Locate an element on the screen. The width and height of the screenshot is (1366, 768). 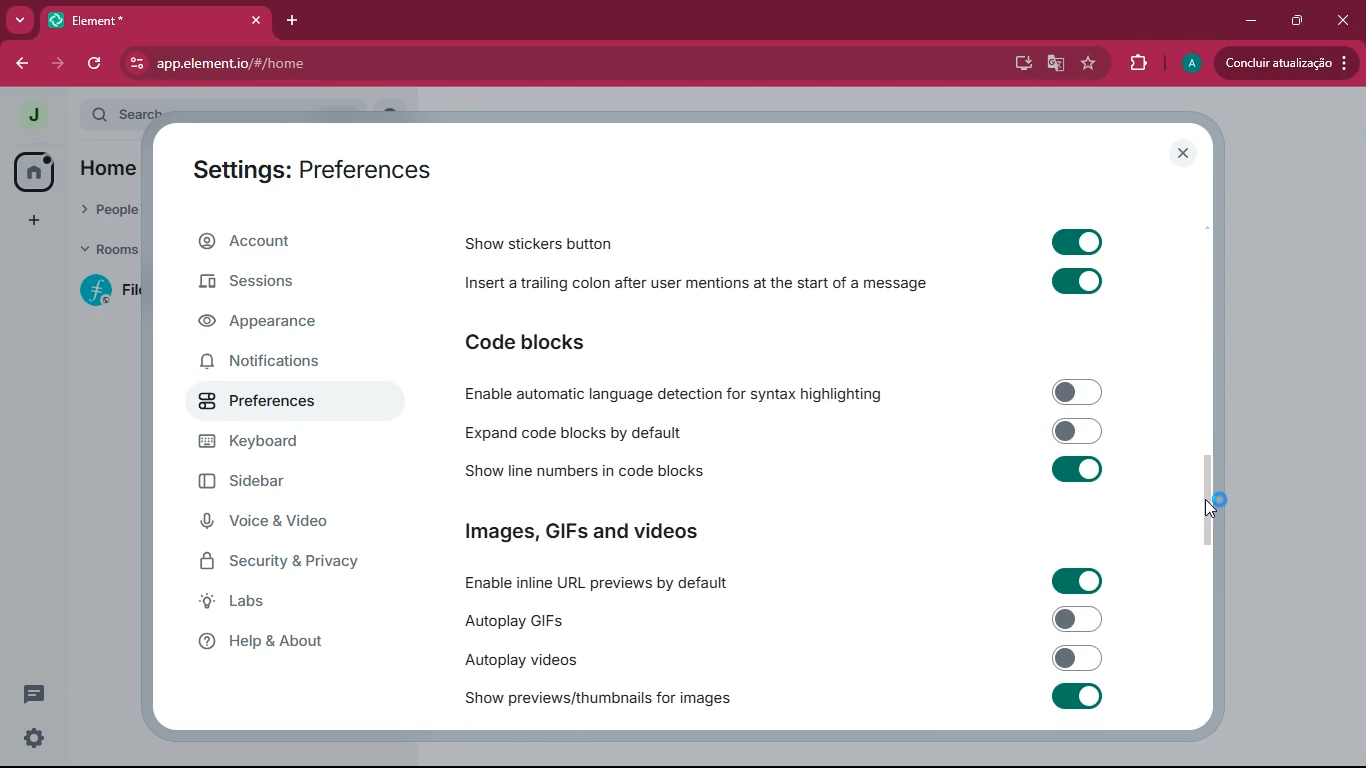
Show previews/thumbnails for images is located at coordinates (593, 699).